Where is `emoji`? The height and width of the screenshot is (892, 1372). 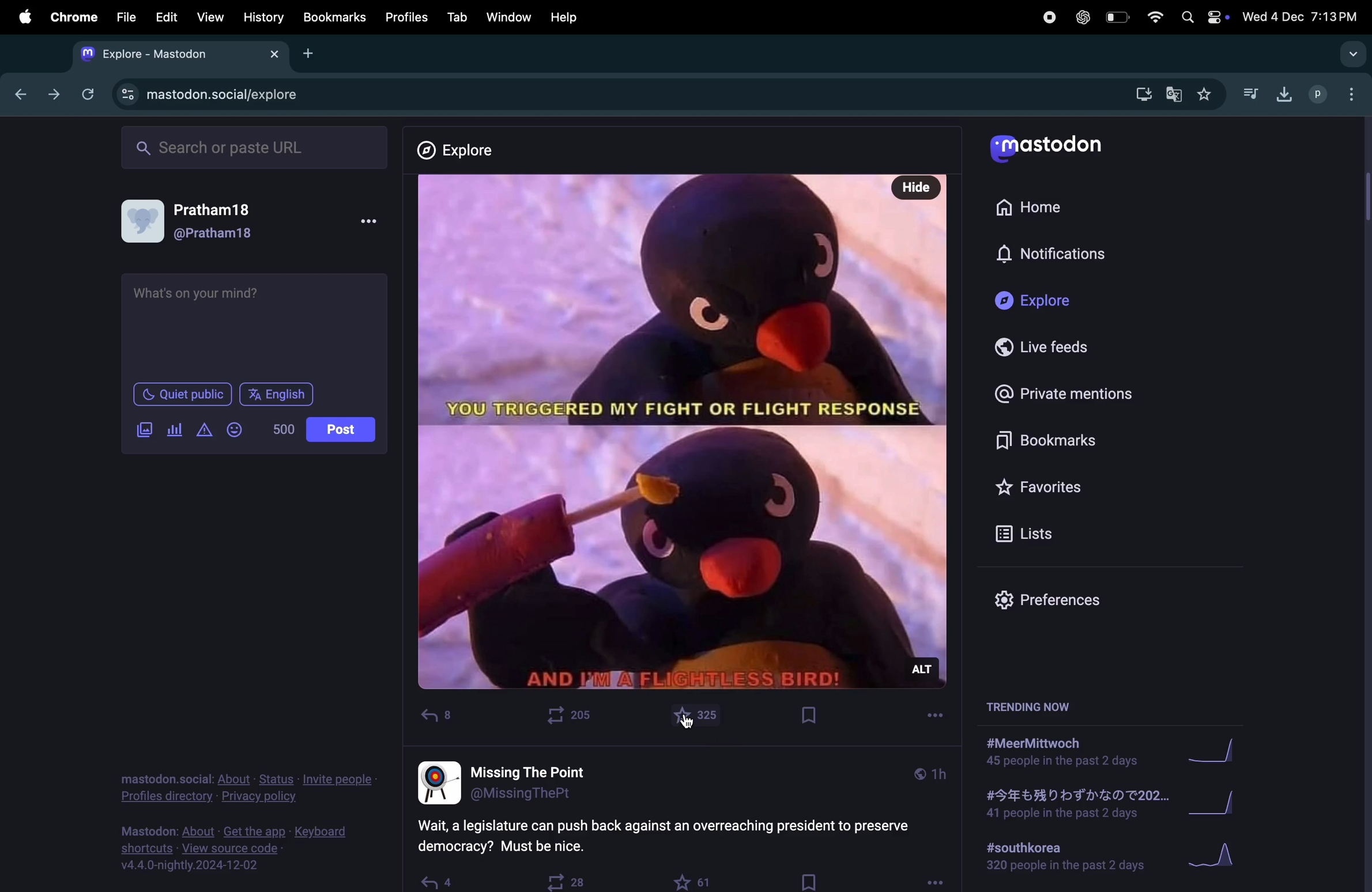
emoji is located at coordinates (240, 429).